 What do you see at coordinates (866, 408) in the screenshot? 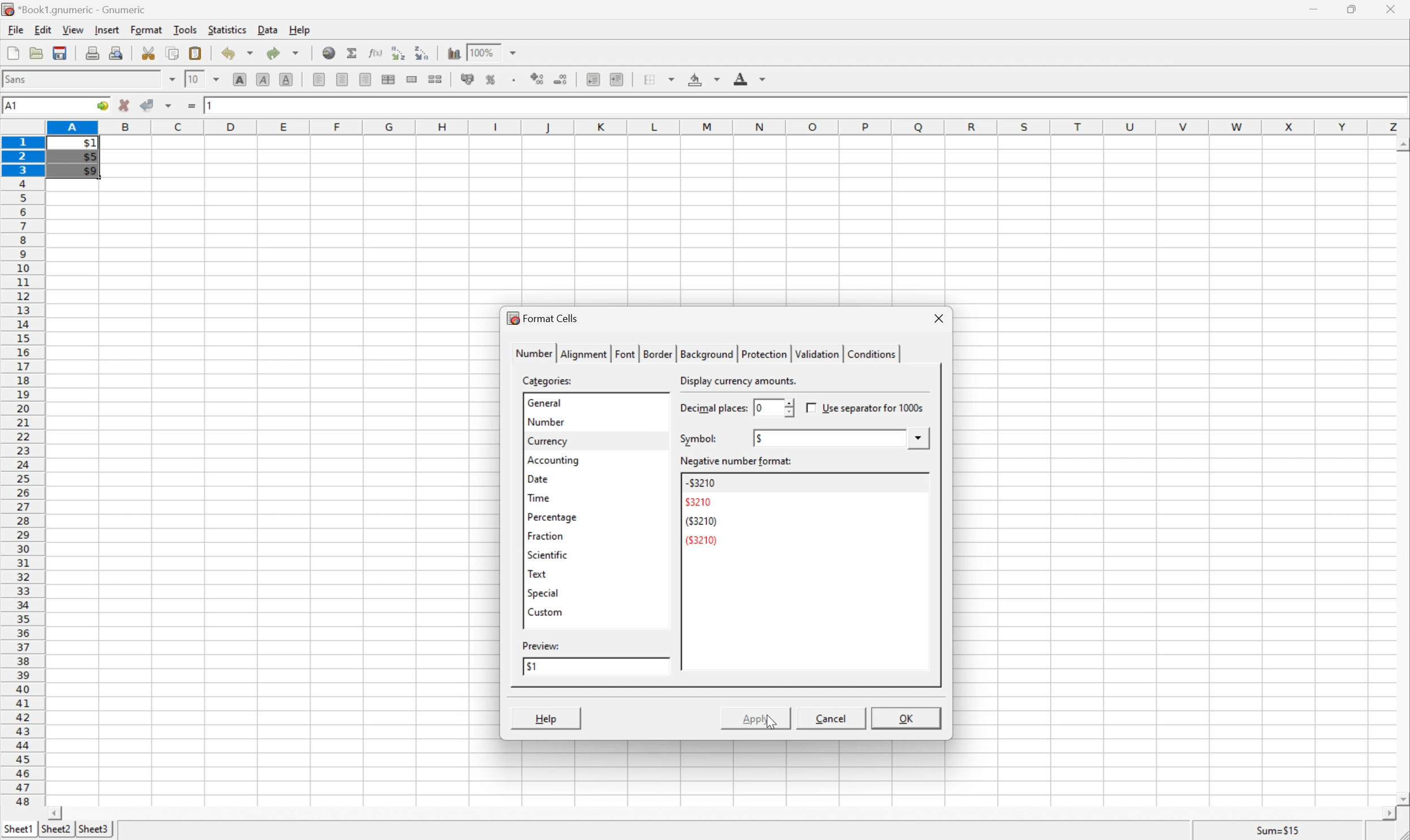
I see `use separator for 1000s` at bounding box center [866, 408].